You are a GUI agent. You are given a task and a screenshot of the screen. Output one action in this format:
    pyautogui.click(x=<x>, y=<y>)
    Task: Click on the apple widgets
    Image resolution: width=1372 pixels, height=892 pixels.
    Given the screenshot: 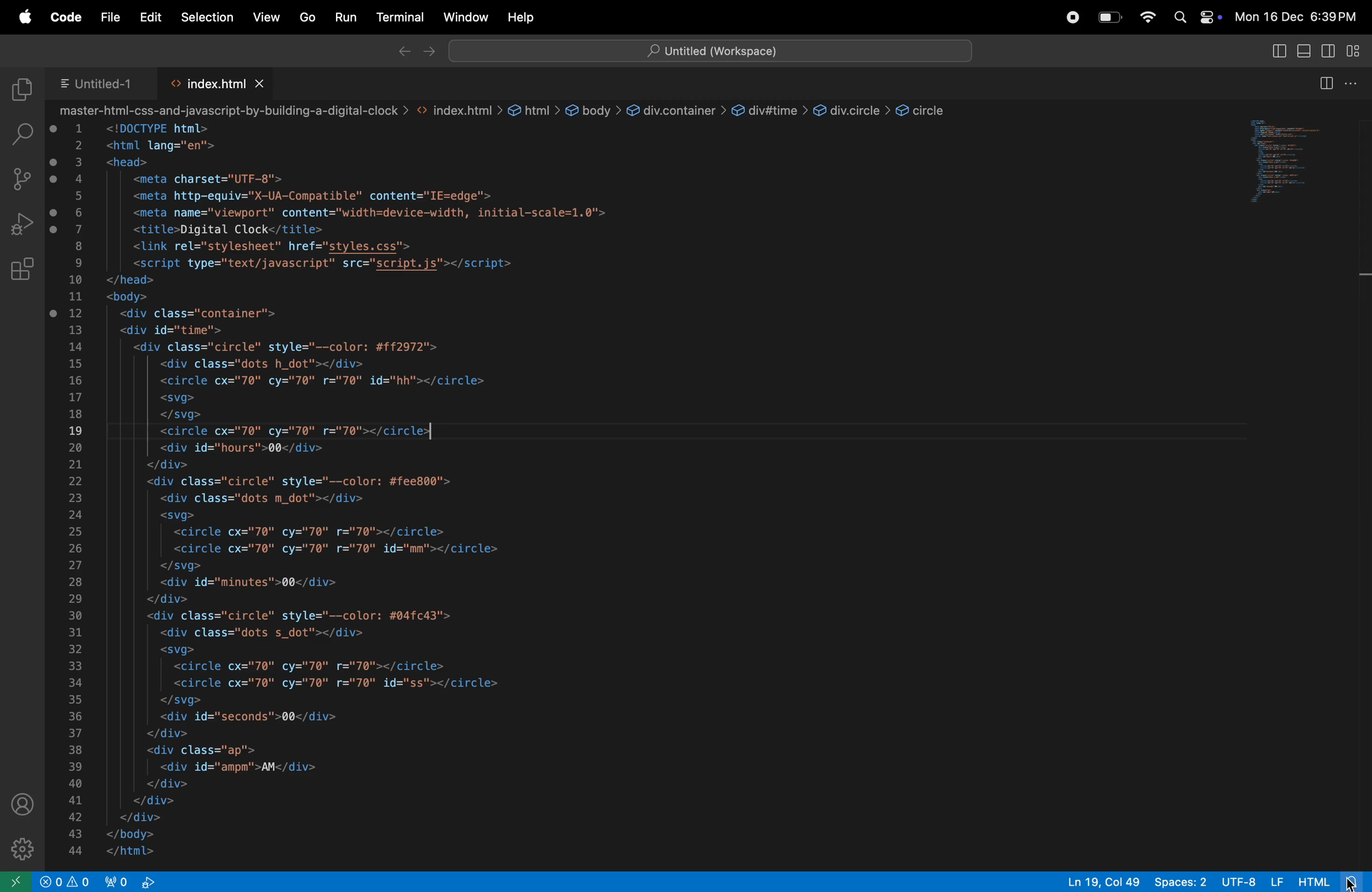 What is the action you would take?
    pyautogui.click(x=1197, y=14)
    